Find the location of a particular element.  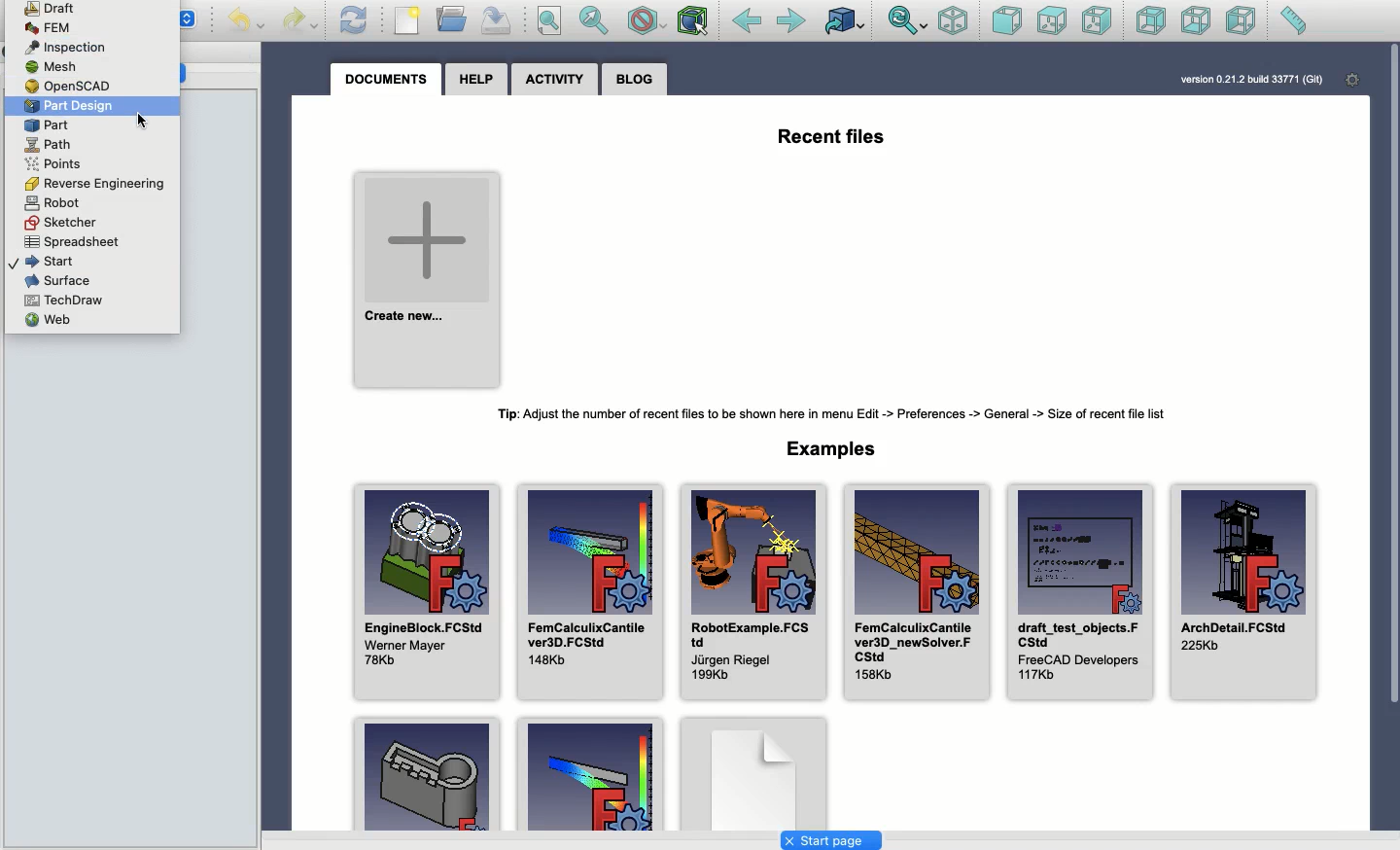

Right is located at coordinates (1100, 20).